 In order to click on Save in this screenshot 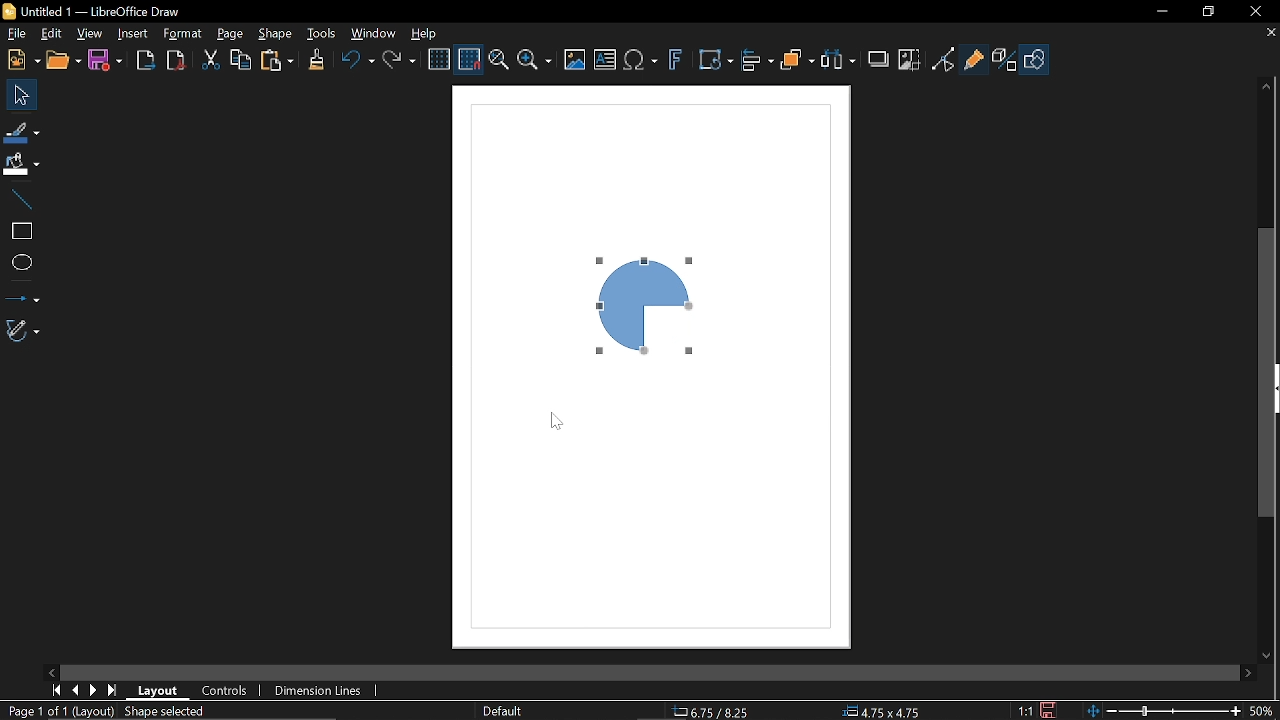, I will do `click(1051, 709)`.